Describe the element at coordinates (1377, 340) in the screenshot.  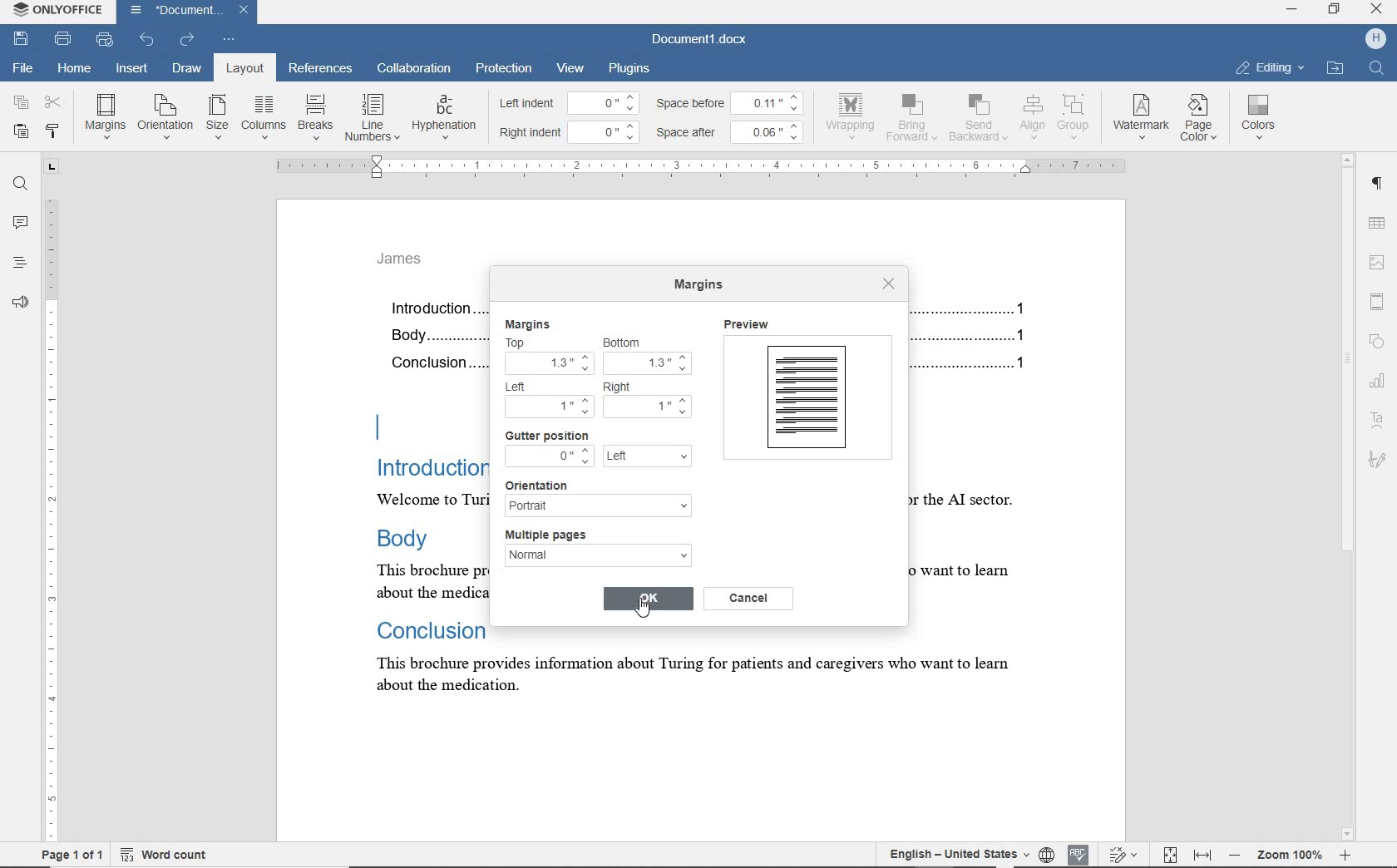
I see `shape` at that location.